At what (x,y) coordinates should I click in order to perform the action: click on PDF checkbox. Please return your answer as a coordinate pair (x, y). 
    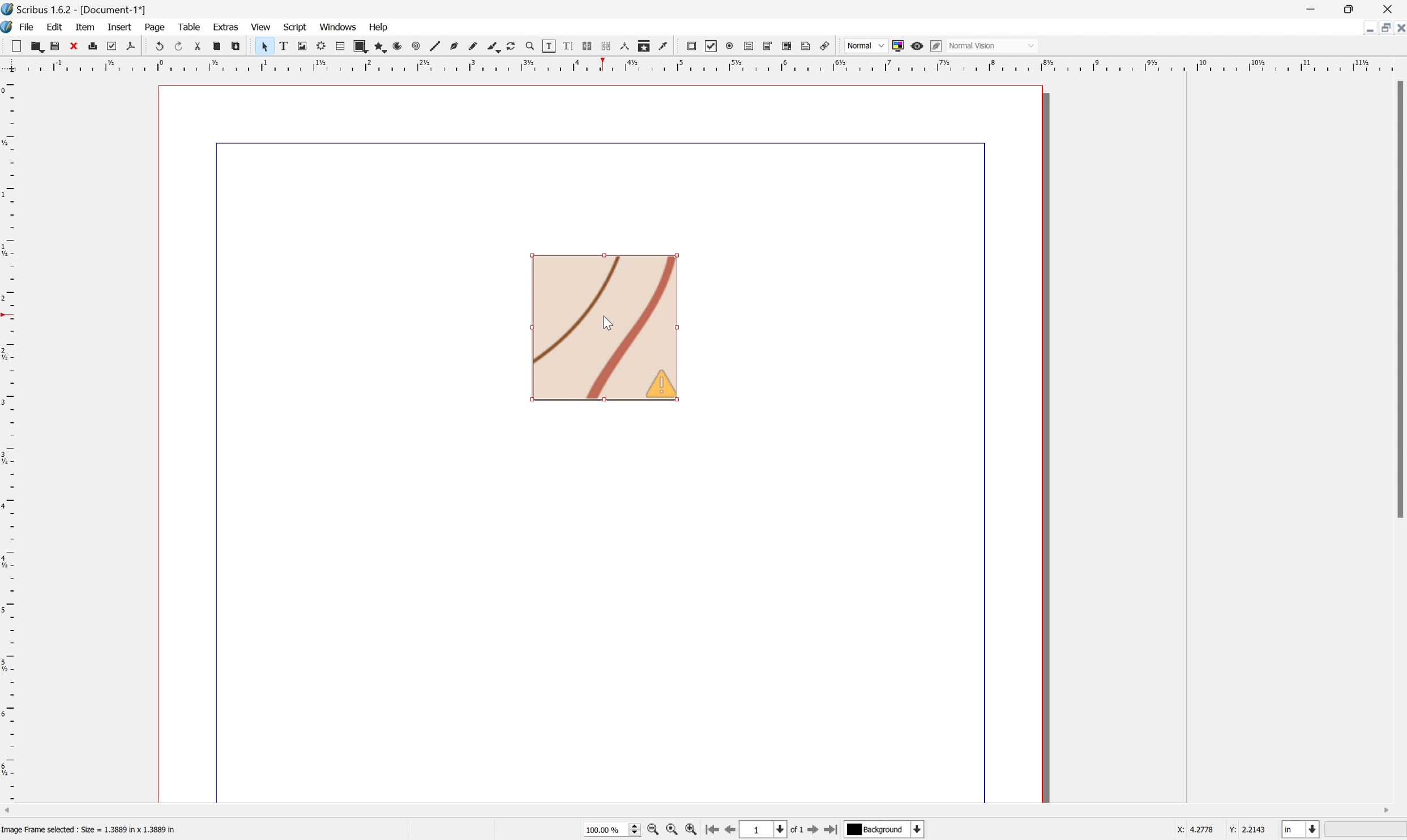
    Looking at the image, I should click on (712, 47).